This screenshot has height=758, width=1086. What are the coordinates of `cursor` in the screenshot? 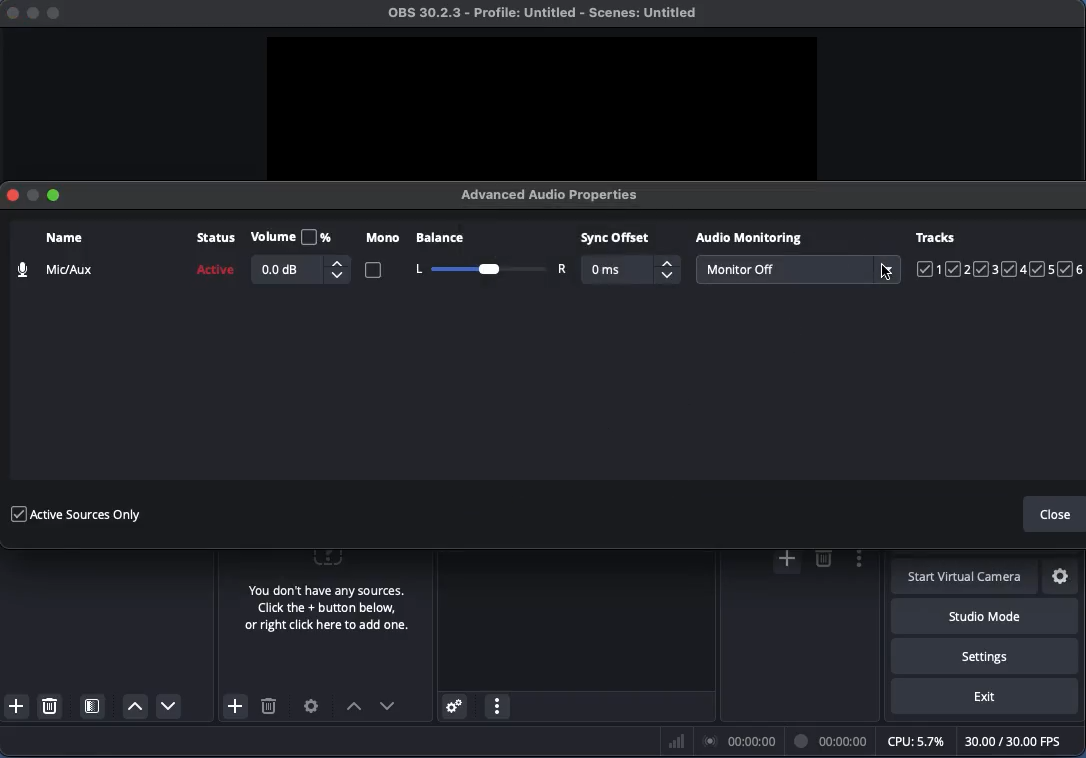 It's located at (888, 275).